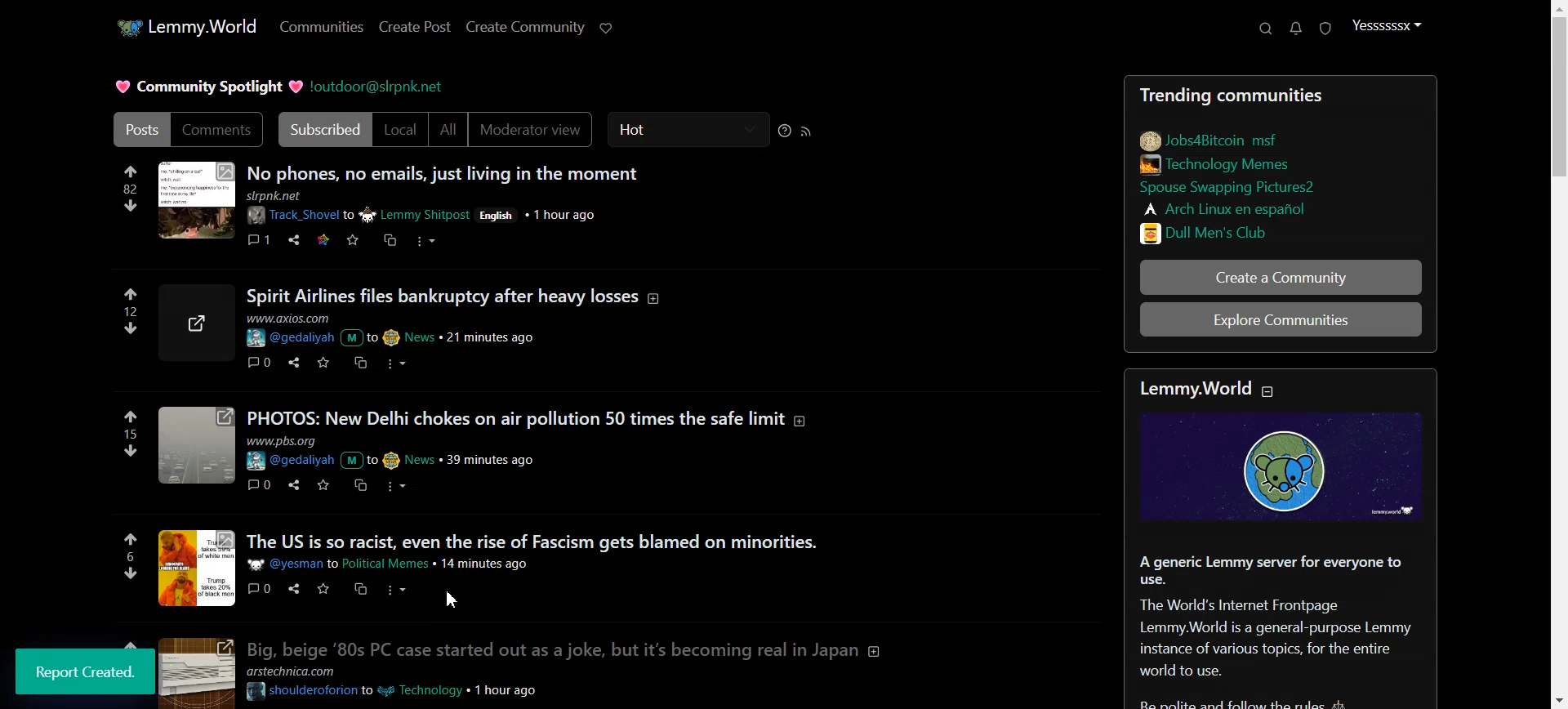  What do you see at coordinates (260, 484) in the screenshot?
I see `comments` at bounding box center [260, 484].